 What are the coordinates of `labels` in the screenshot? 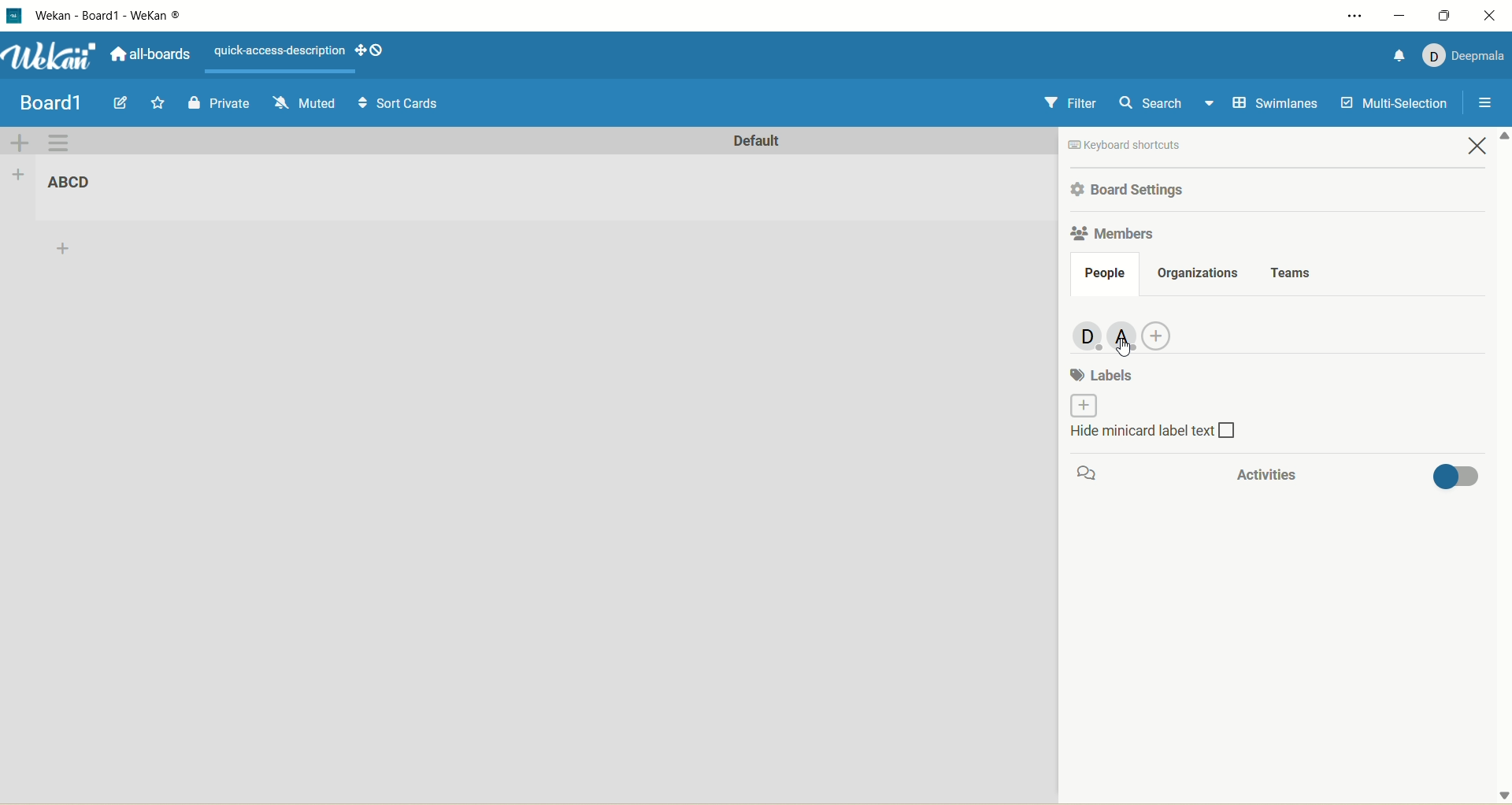 It's located at (1105, 373).